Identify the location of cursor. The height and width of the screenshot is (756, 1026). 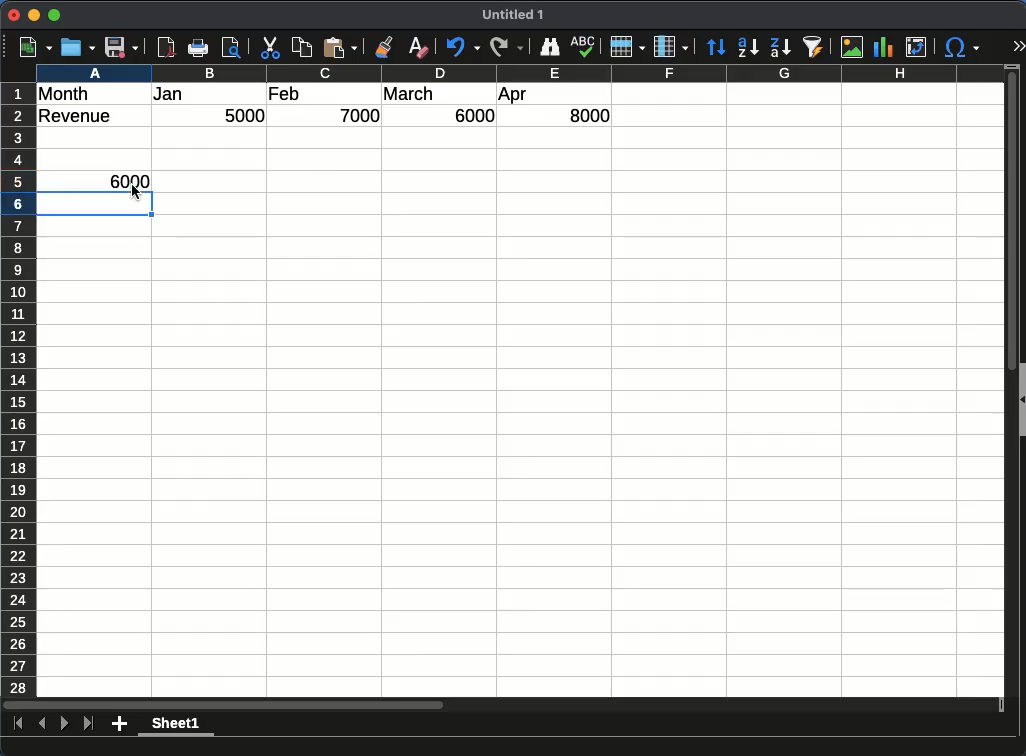
(137, 192).